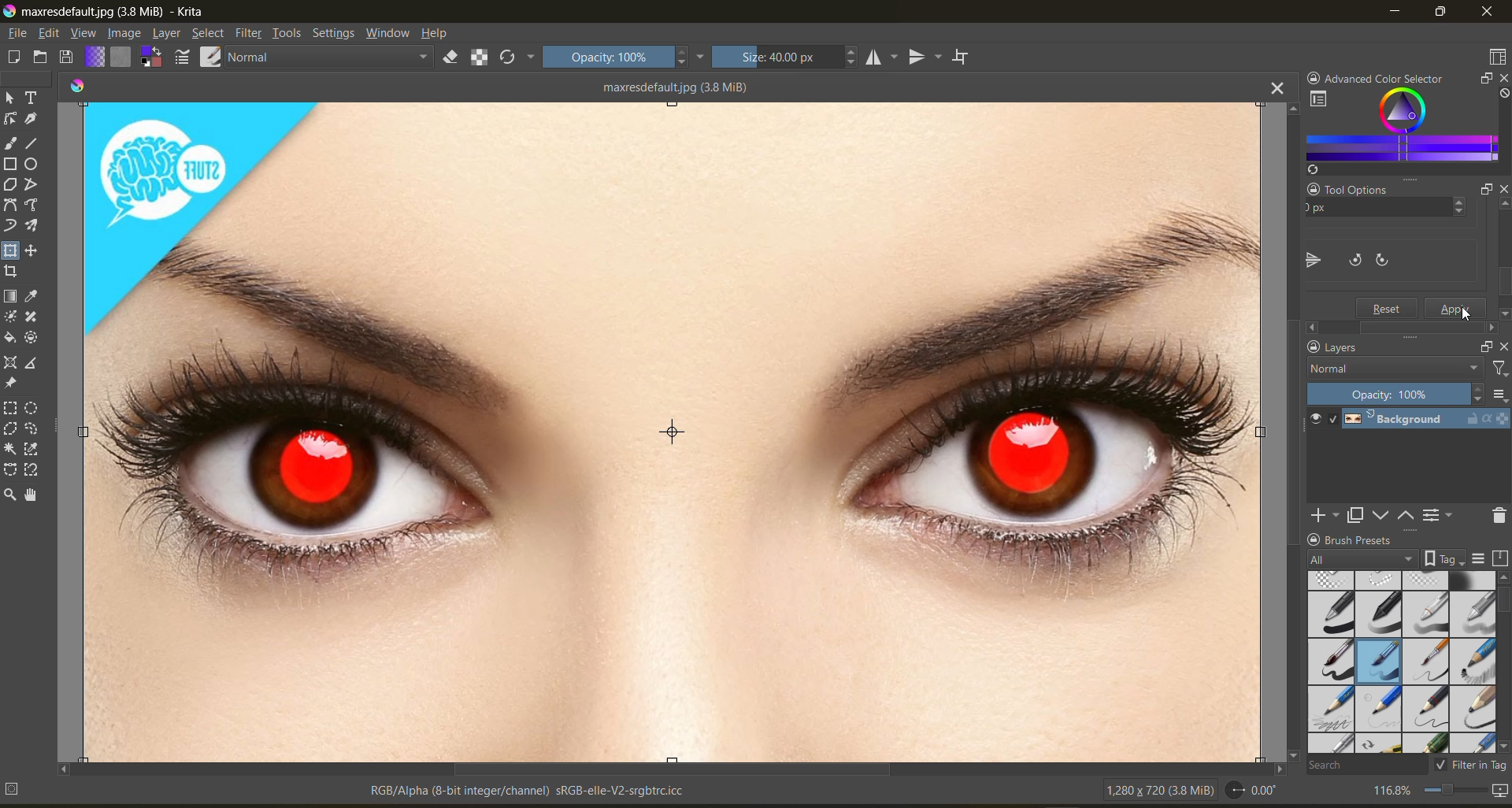  Describe the element at coordinates (1503, 343) in the screenshot. I see `close` at that location.